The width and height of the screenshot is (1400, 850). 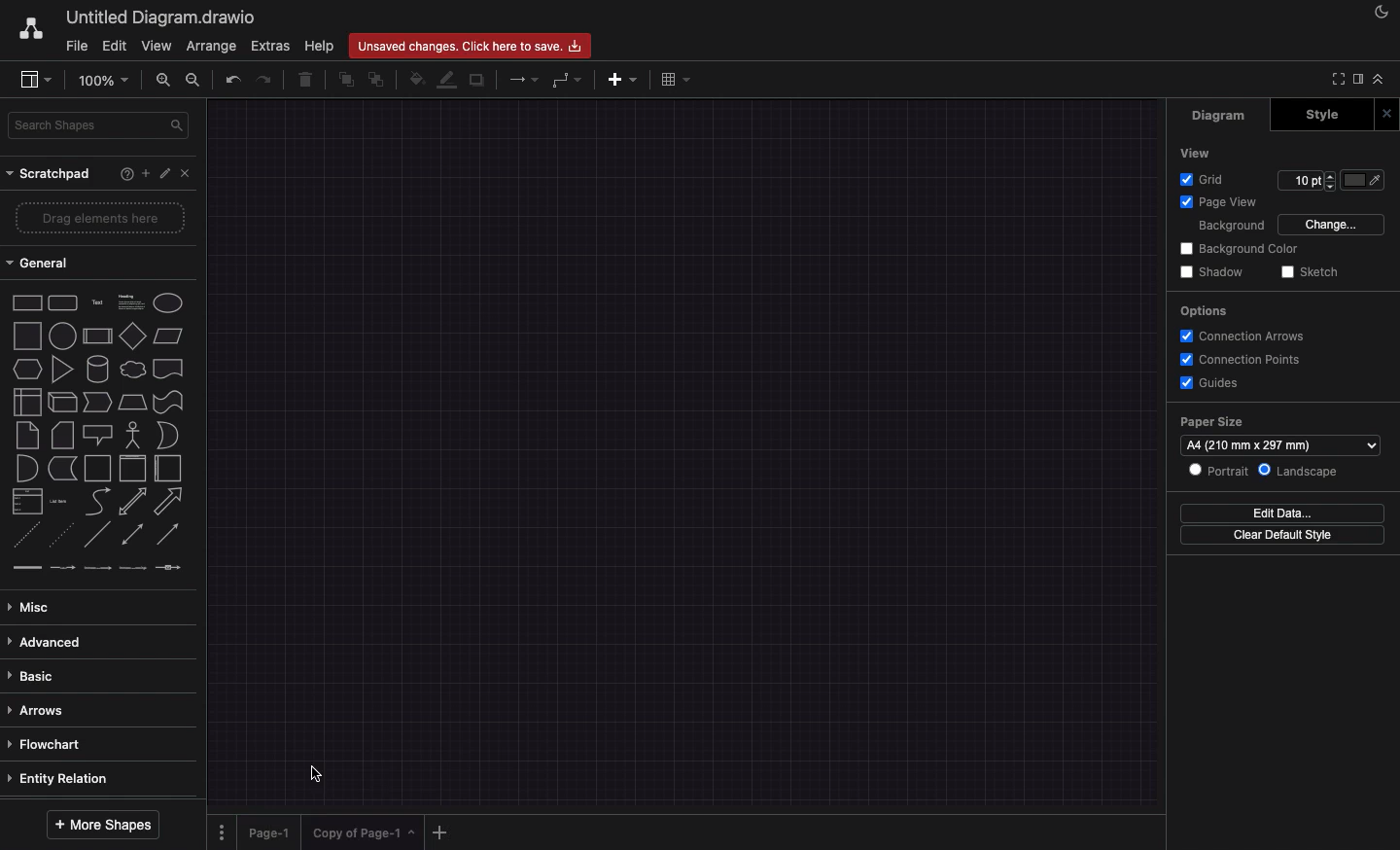 I want to click on container, so click(x=133, y=469).